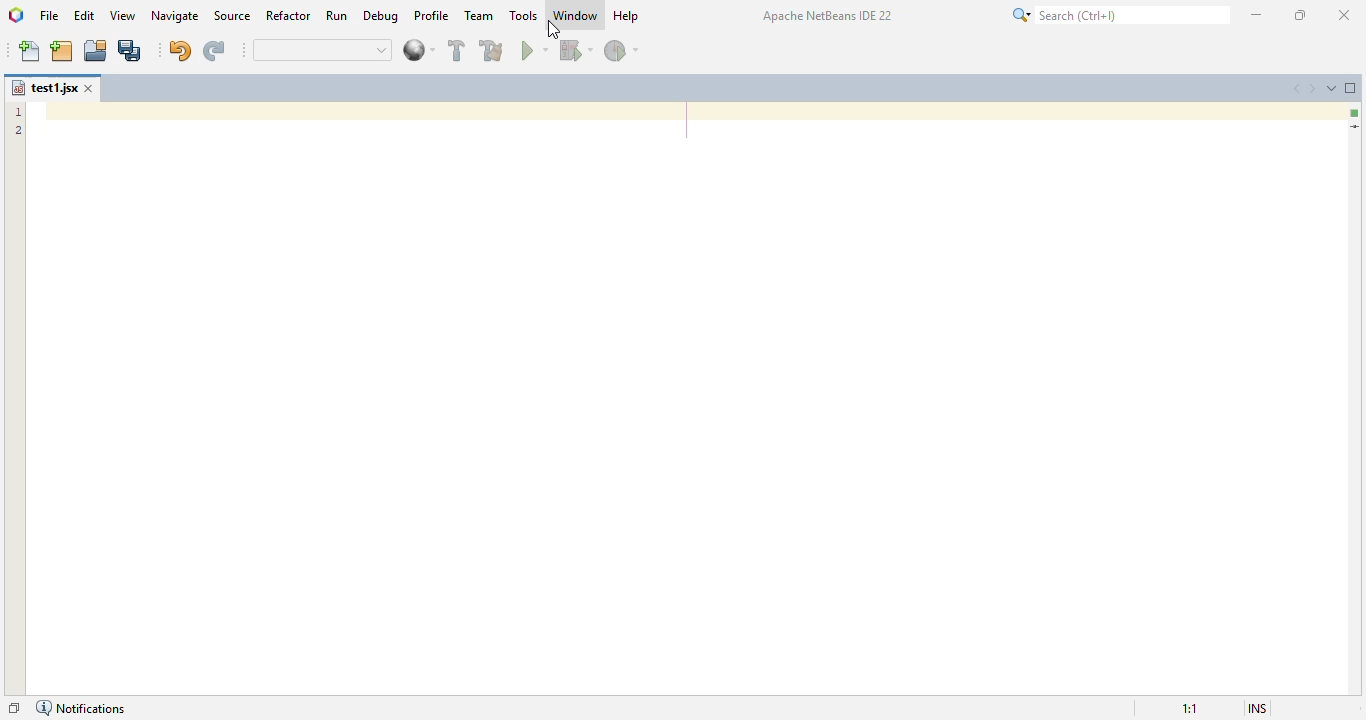 Image resolution: width=1366 pixels, height=720 pixels. I want to click on view, so click(122, 15).